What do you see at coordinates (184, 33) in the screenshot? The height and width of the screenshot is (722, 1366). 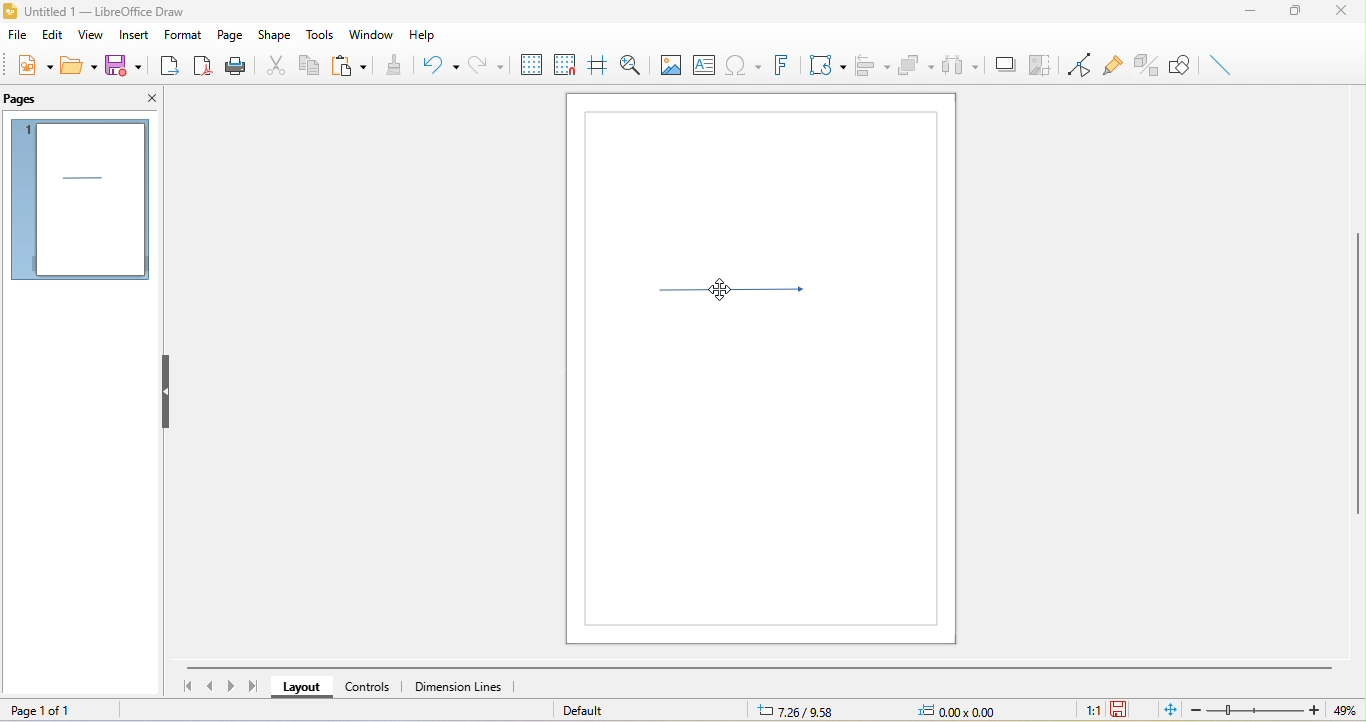 I see `format` at bounding box center [184, 33].